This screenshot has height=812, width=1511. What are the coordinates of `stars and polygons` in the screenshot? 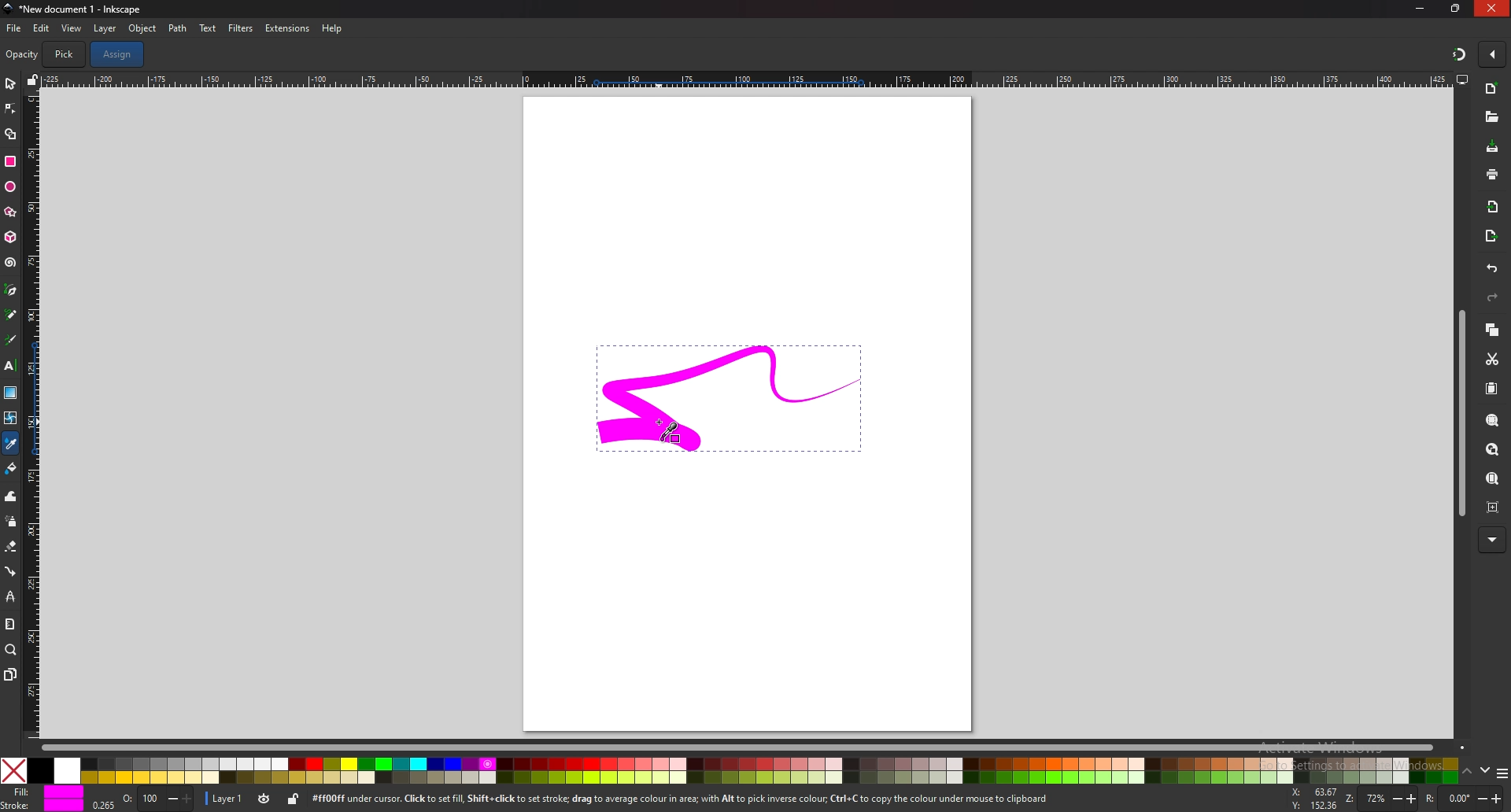 It's located at (10, 212).